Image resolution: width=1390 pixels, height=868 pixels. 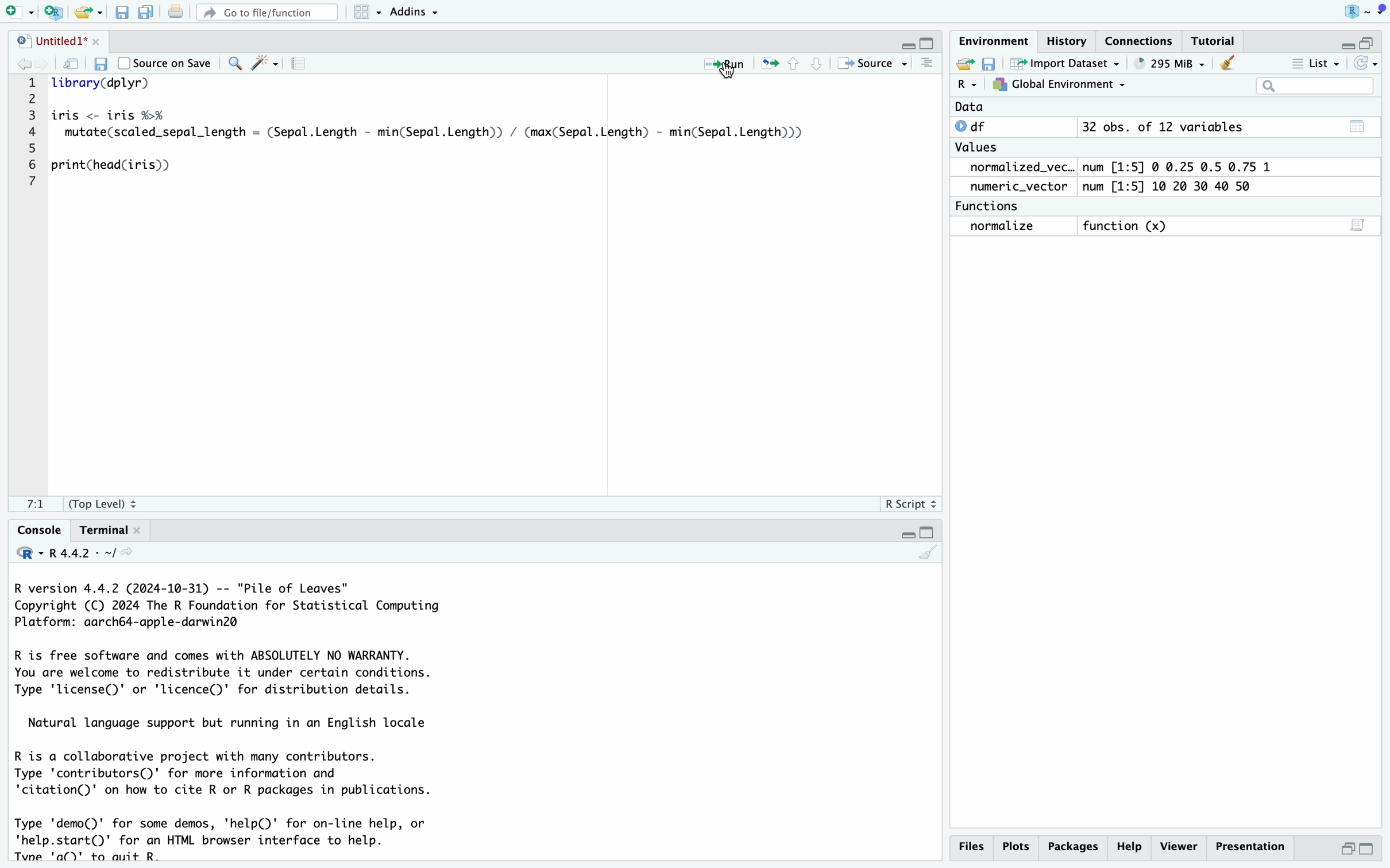 What do you see at coordinates (99, 63) in the screenshot?
I see `Save` at bounding box center [99, 63].